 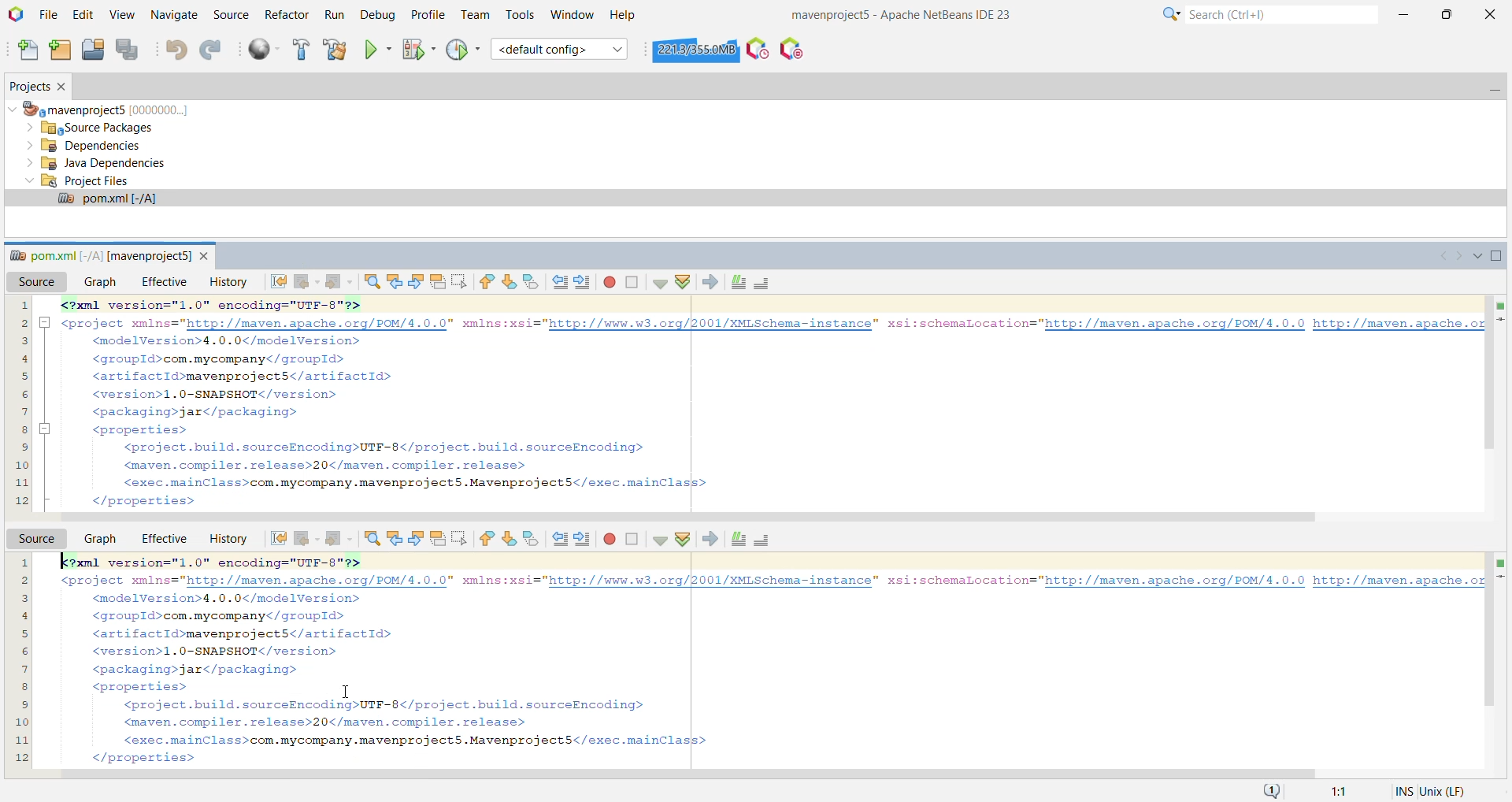 What do you see at coordinates (235, 599) in the screenshot?
I see `<modelVersion>4.0.0</modelVersion>` at bounding box center [235, 599].